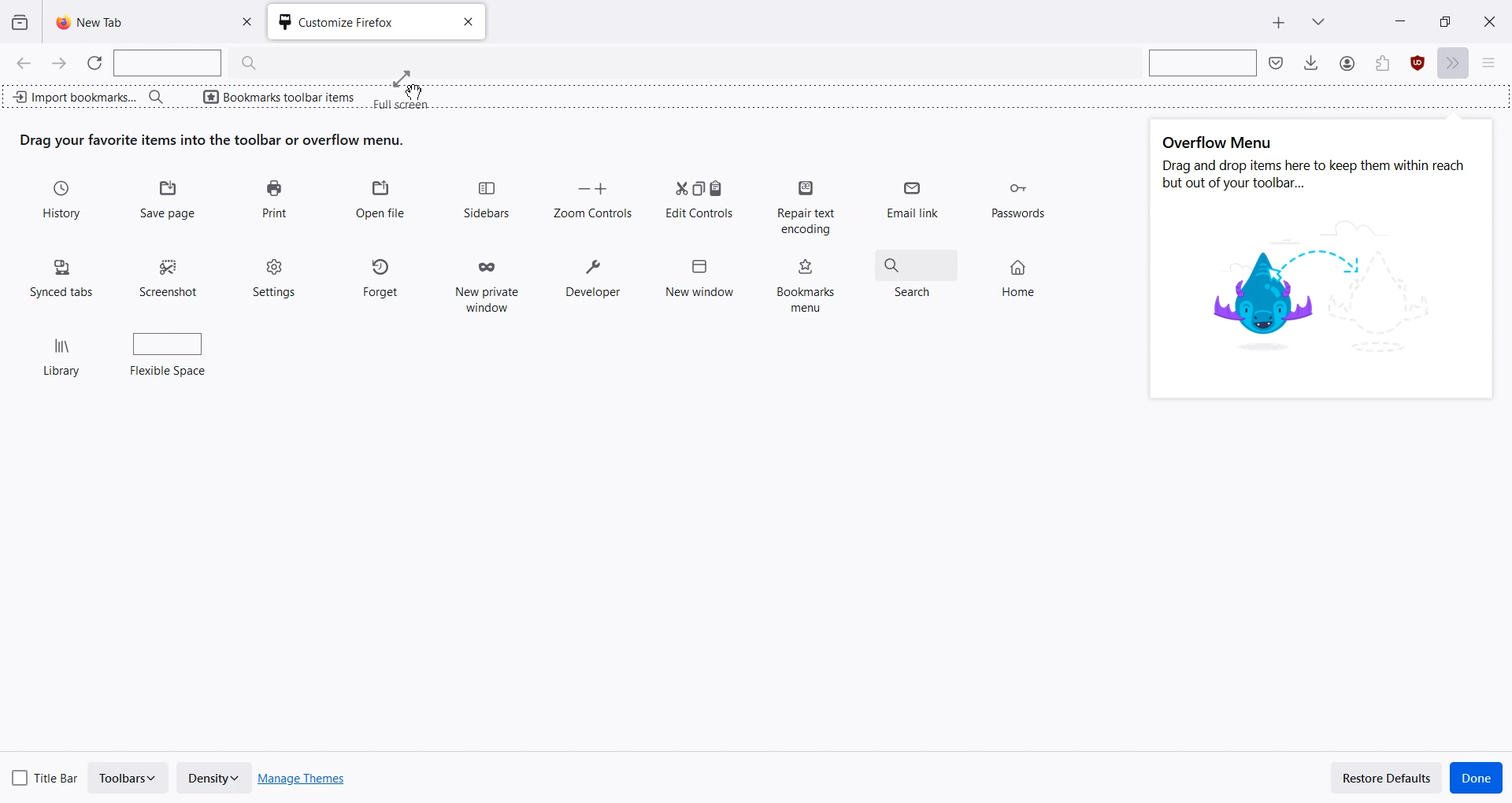 Image resolution: width=1512 pixels, height=803 pixels. What do you see at coordinates (1311, 62) in the screenshot?
I see `Downloads` at bounding box center [1311, 62].